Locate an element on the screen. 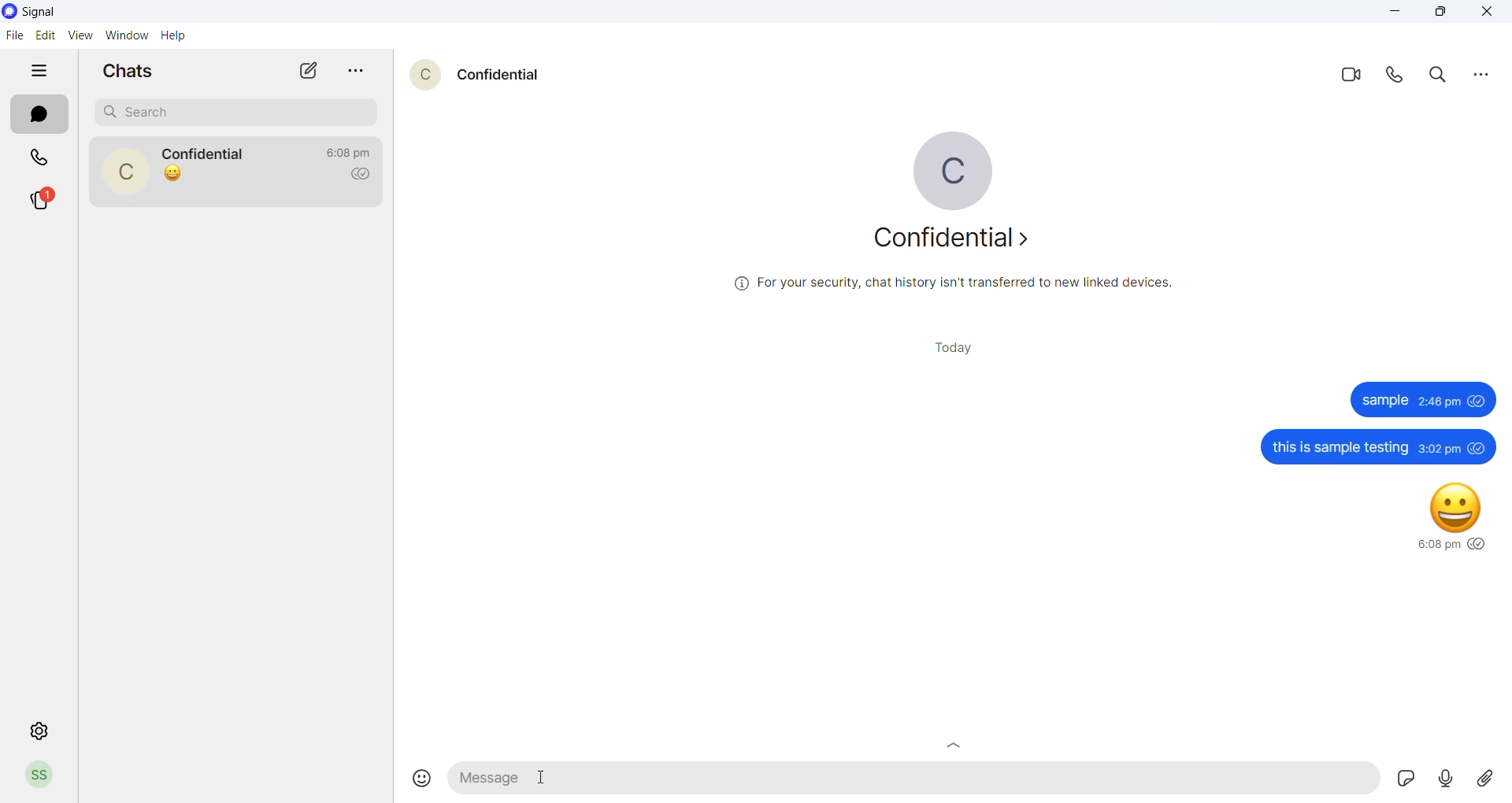 The image size is (1512, 803). view is located at coordinates (81, 35).